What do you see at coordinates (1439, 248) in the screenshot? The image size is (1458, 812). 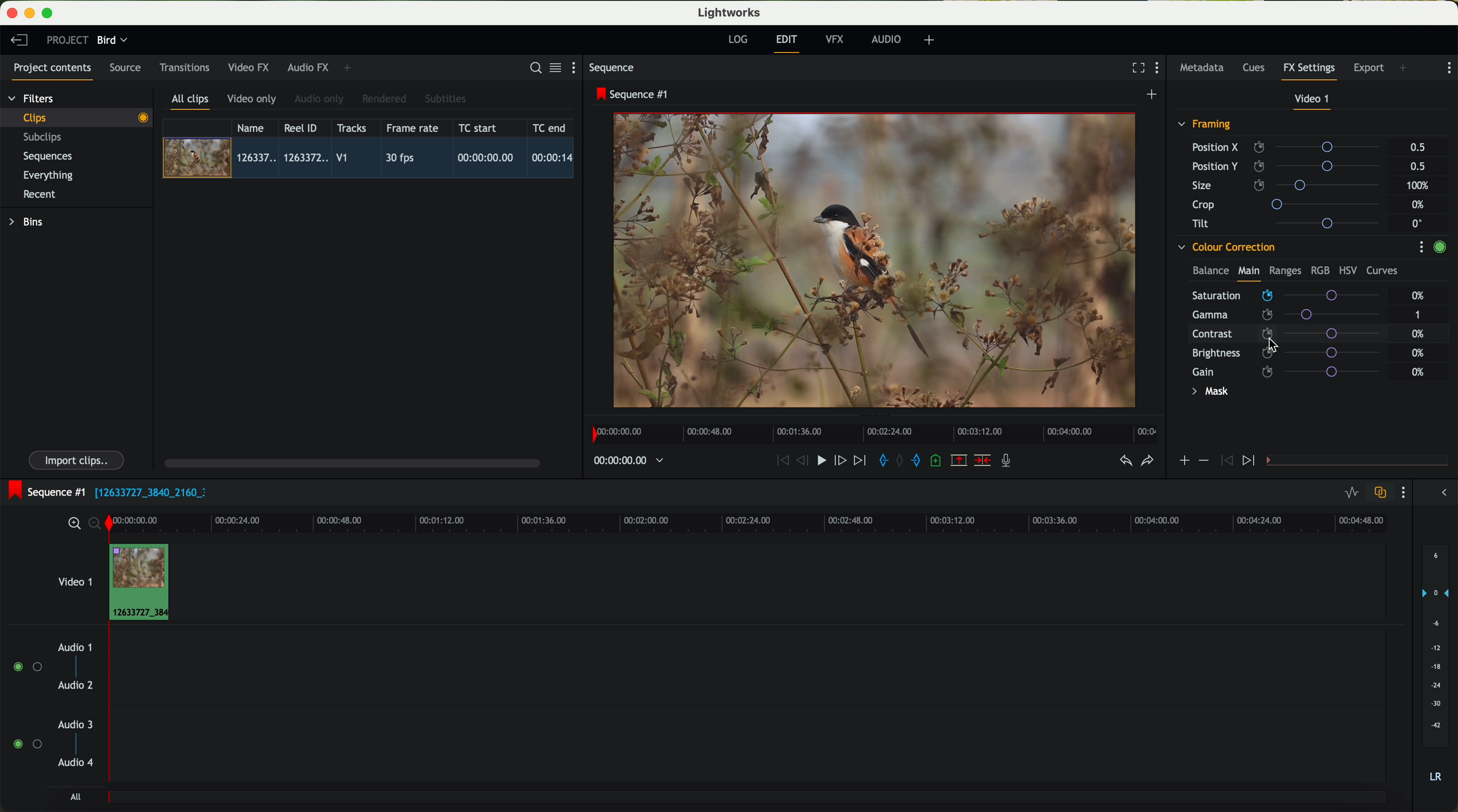 I see `enable` at bounding box center [1439, 248].